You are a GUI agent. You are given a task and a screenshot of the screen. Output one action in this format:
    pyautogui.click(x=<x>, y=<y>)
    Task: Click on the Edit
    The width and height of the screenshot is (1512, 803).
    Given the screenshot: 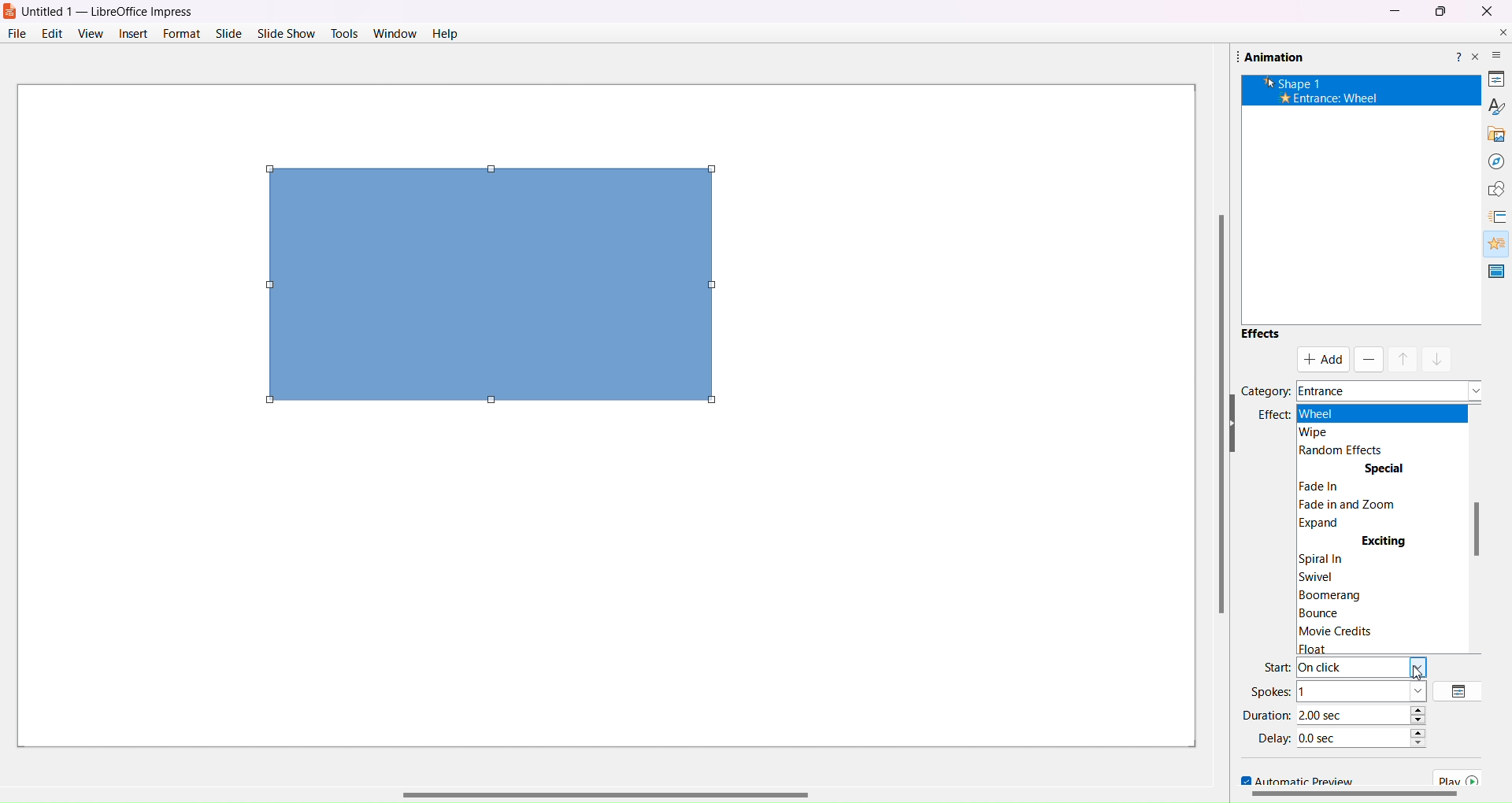 What is the action you would take?
    pyautogui.click(x=54, y=33)
    